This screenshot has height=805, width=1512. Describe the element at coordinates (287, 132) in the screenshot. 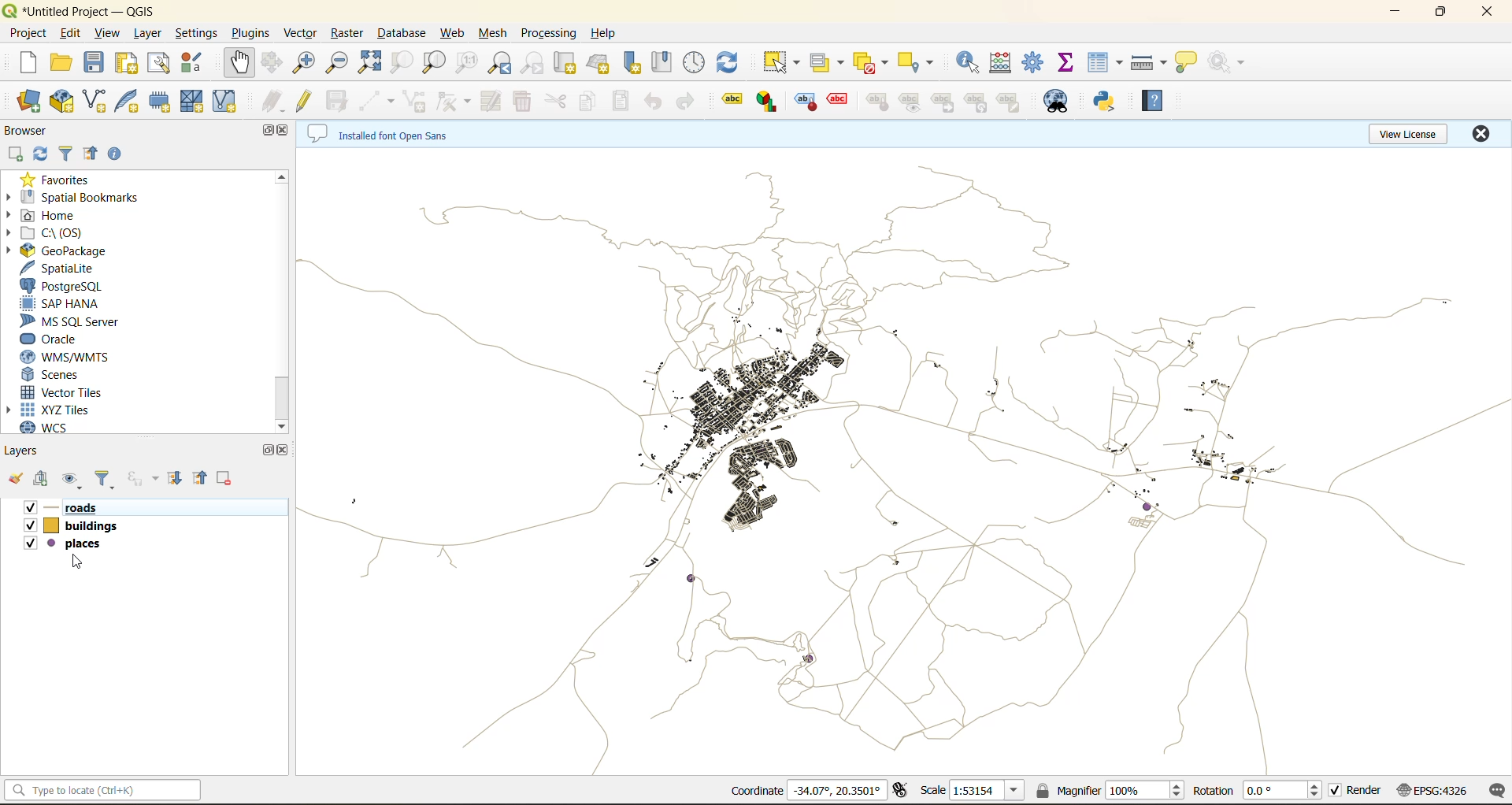

I see `close` at that location.